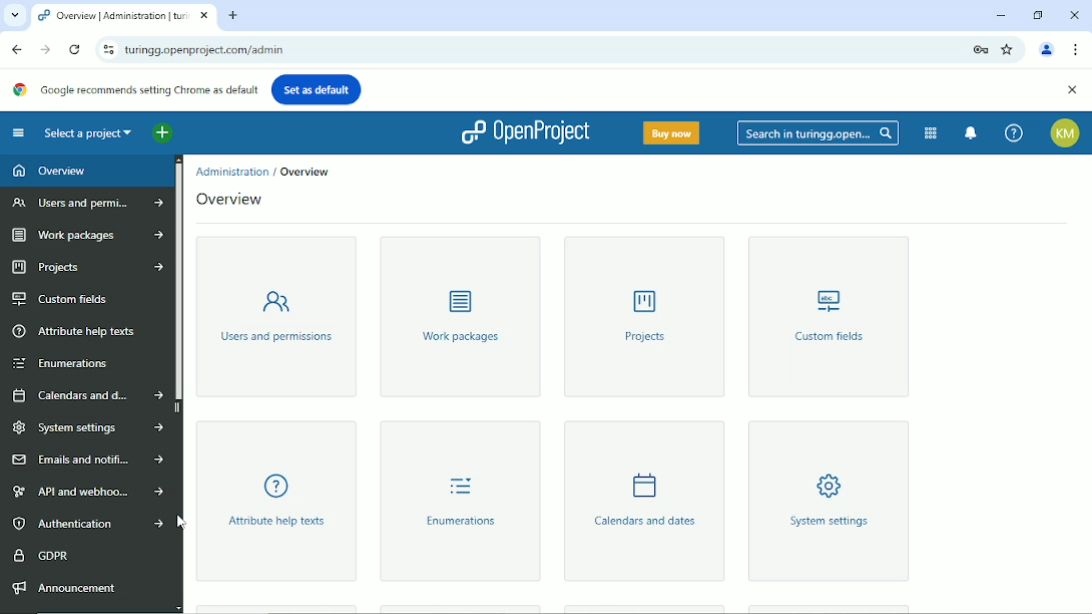  I want to click on Vertical scrollbar, so click(182, 282).